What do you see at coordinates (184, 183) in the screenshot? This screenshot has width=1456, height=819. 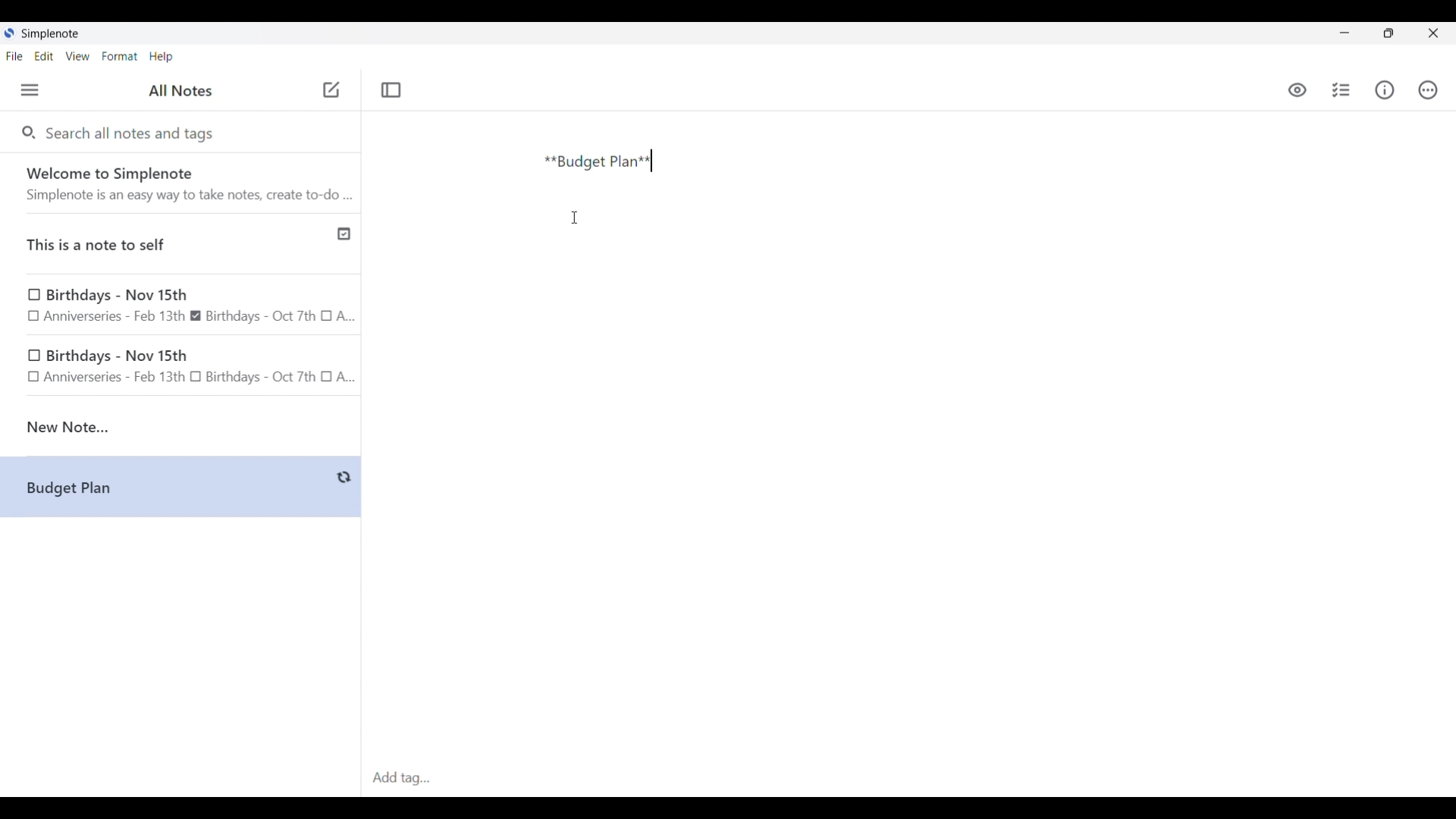 I see `Software welcome note` at bounding box center [184, 183].